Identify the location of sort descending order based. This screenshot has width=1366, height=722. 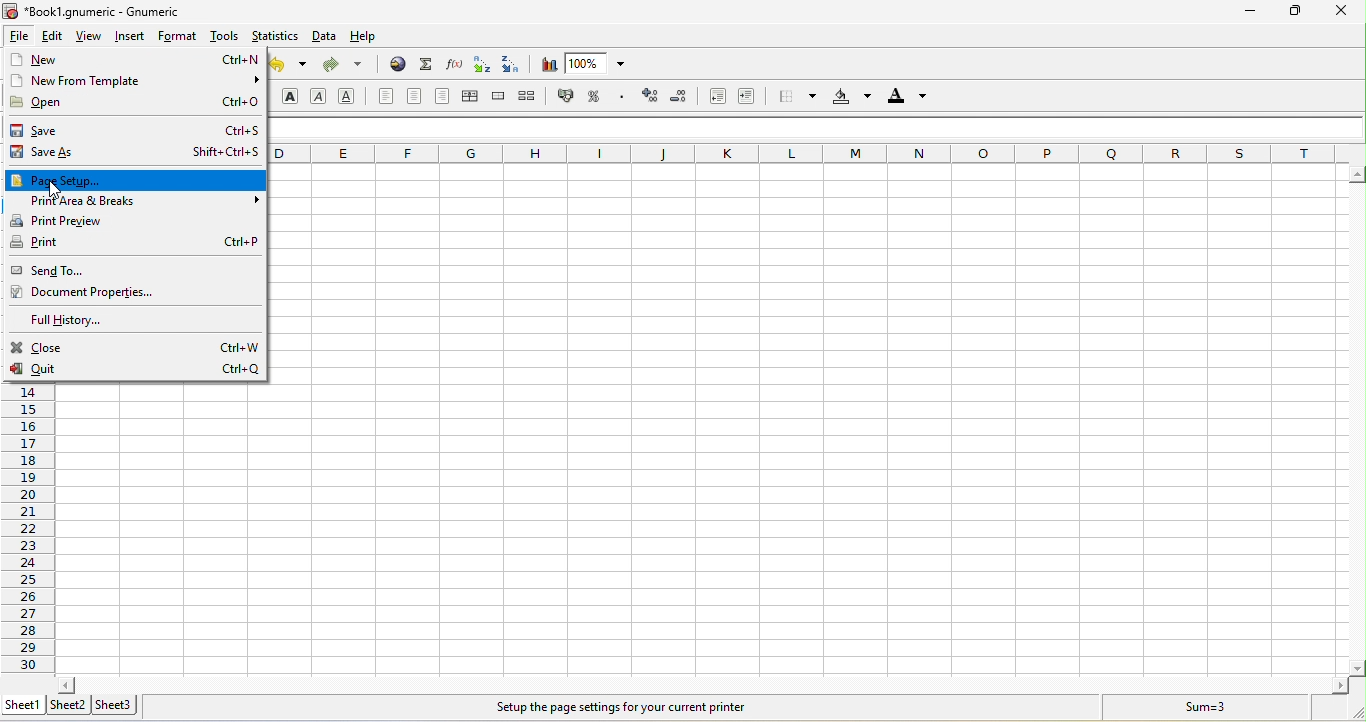
(514, 64).